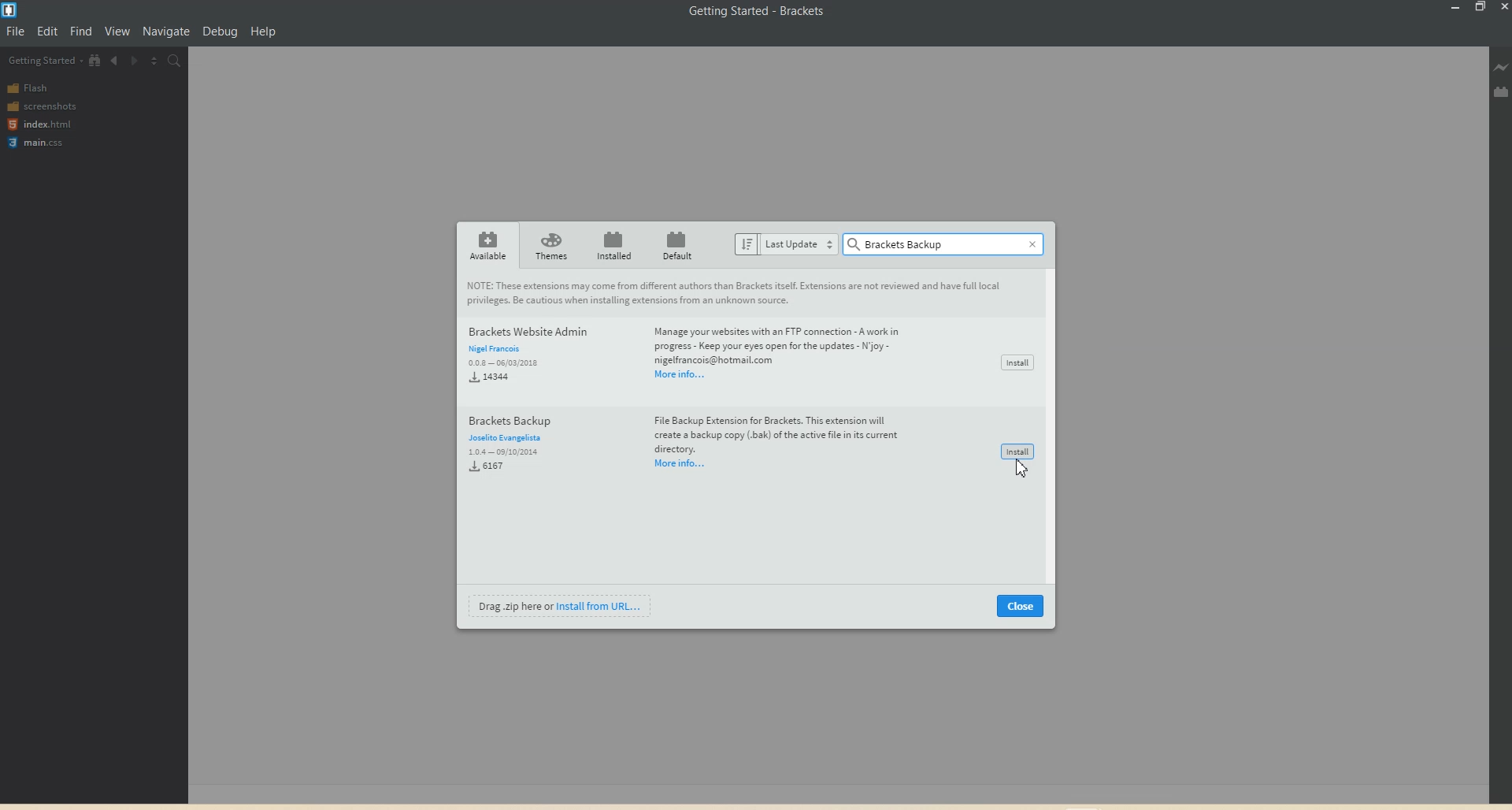 The height and width of the screenshot is (810, 1512). Describe the element at coordinates (12, 10) in the screenshot. I see `Logo` at that location.